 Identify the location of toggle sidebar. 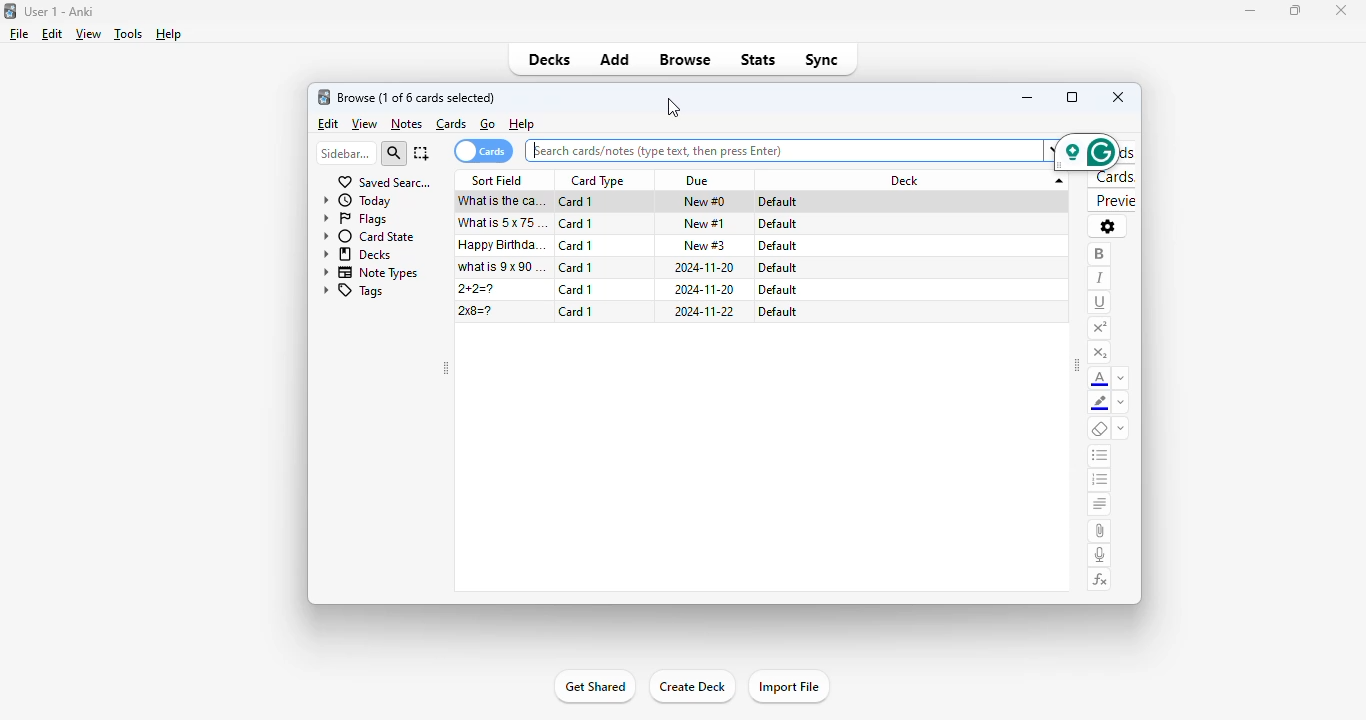
(447, 368).